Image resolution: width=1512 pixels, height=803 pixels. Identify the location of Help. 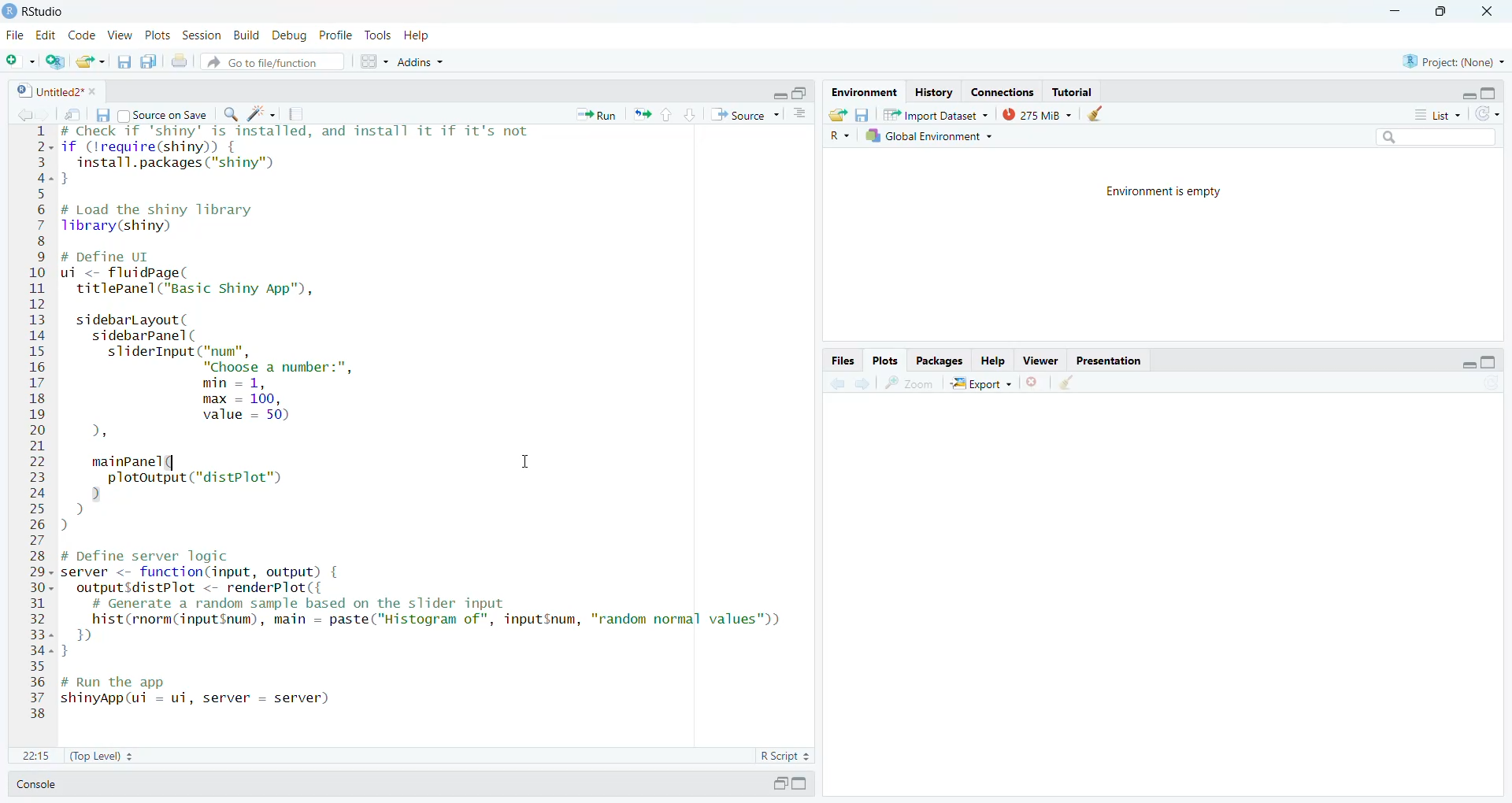
(992, 361).